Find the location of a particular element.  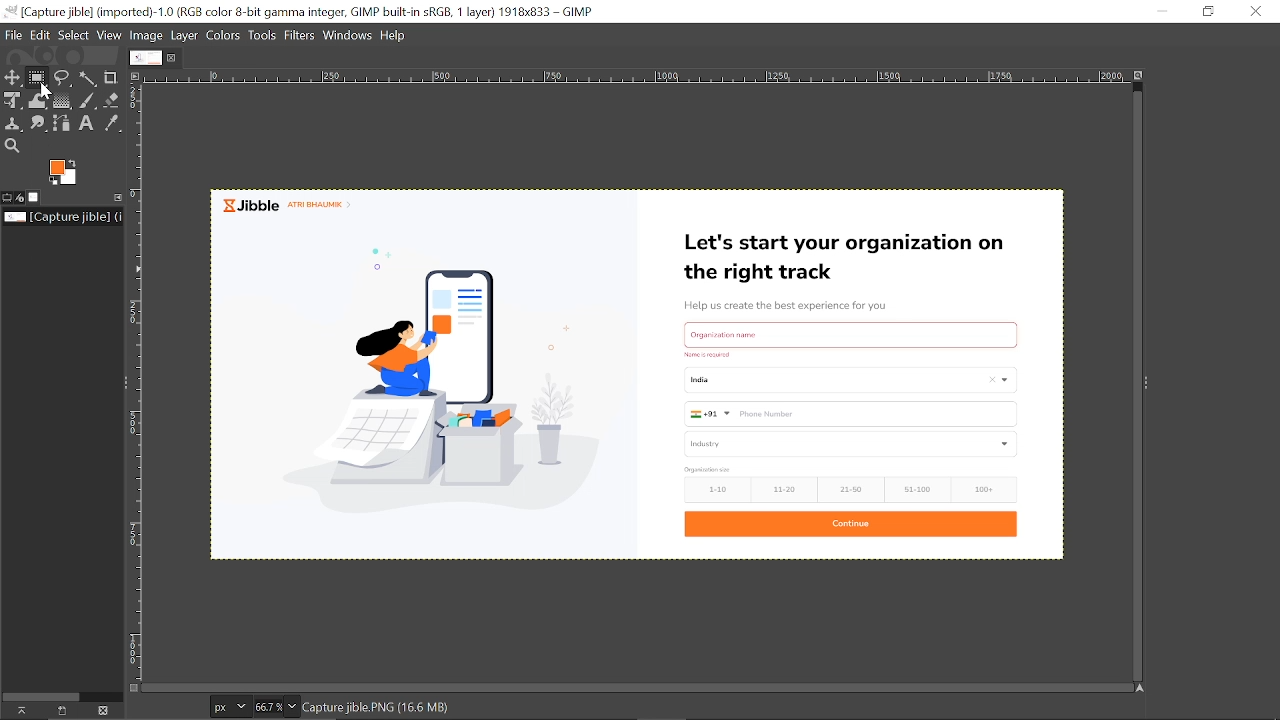

Pixels is located at coordinates (227, 708).